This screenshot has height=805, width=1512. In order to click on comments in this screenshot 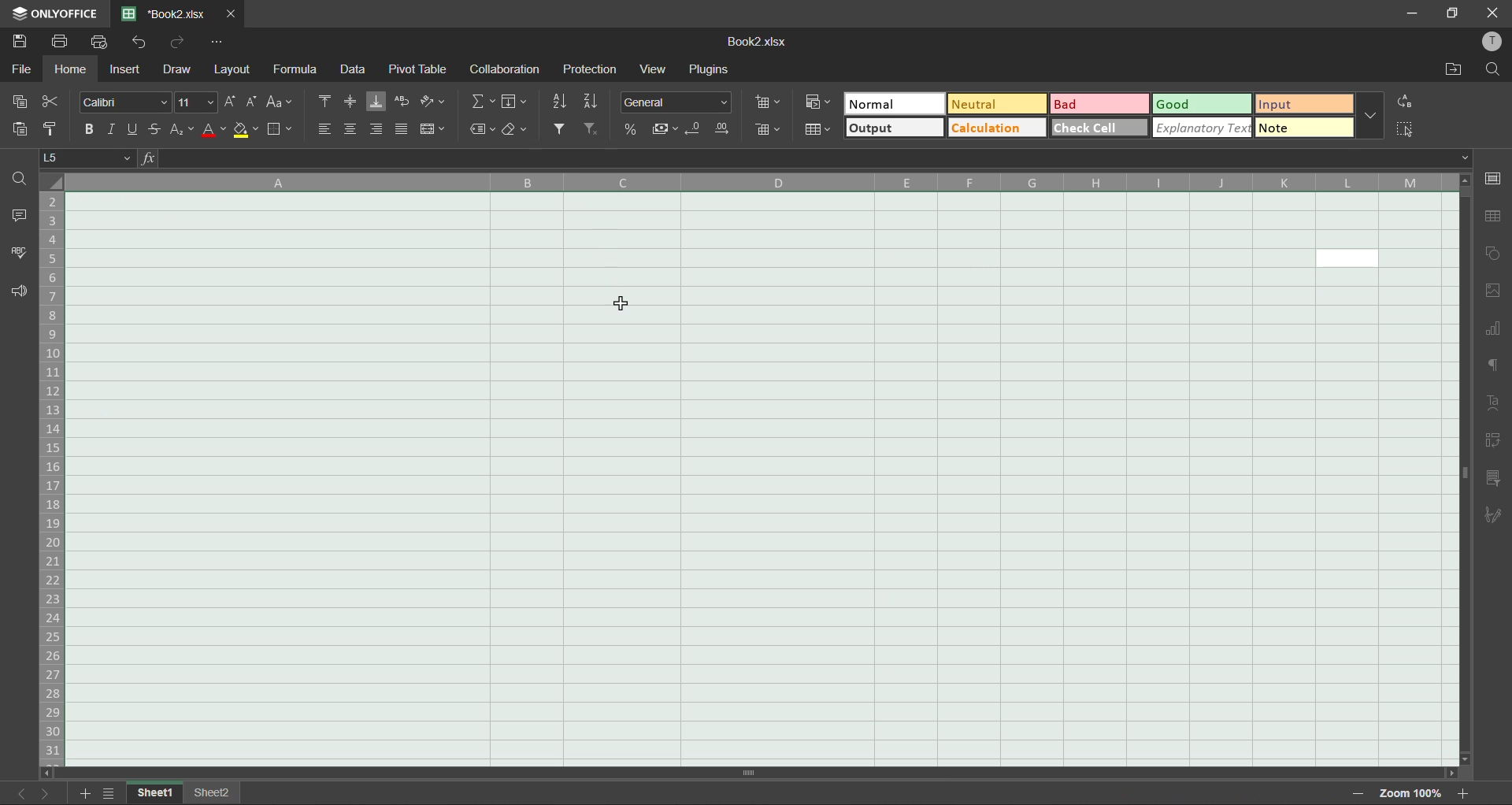, I will do `click(22, 217)`.